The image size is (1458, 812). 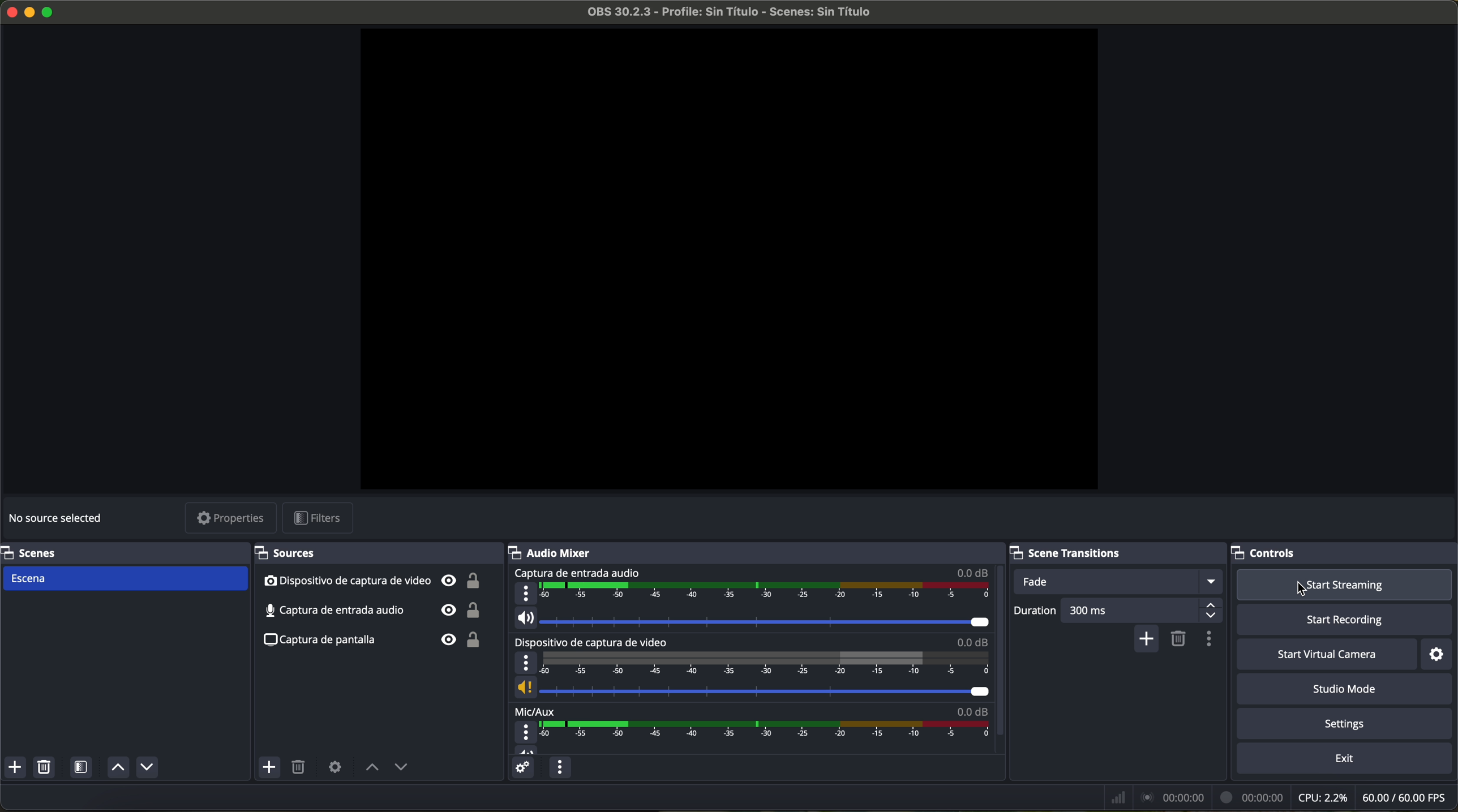 I want to click on close program, so click(x=9, y=10).